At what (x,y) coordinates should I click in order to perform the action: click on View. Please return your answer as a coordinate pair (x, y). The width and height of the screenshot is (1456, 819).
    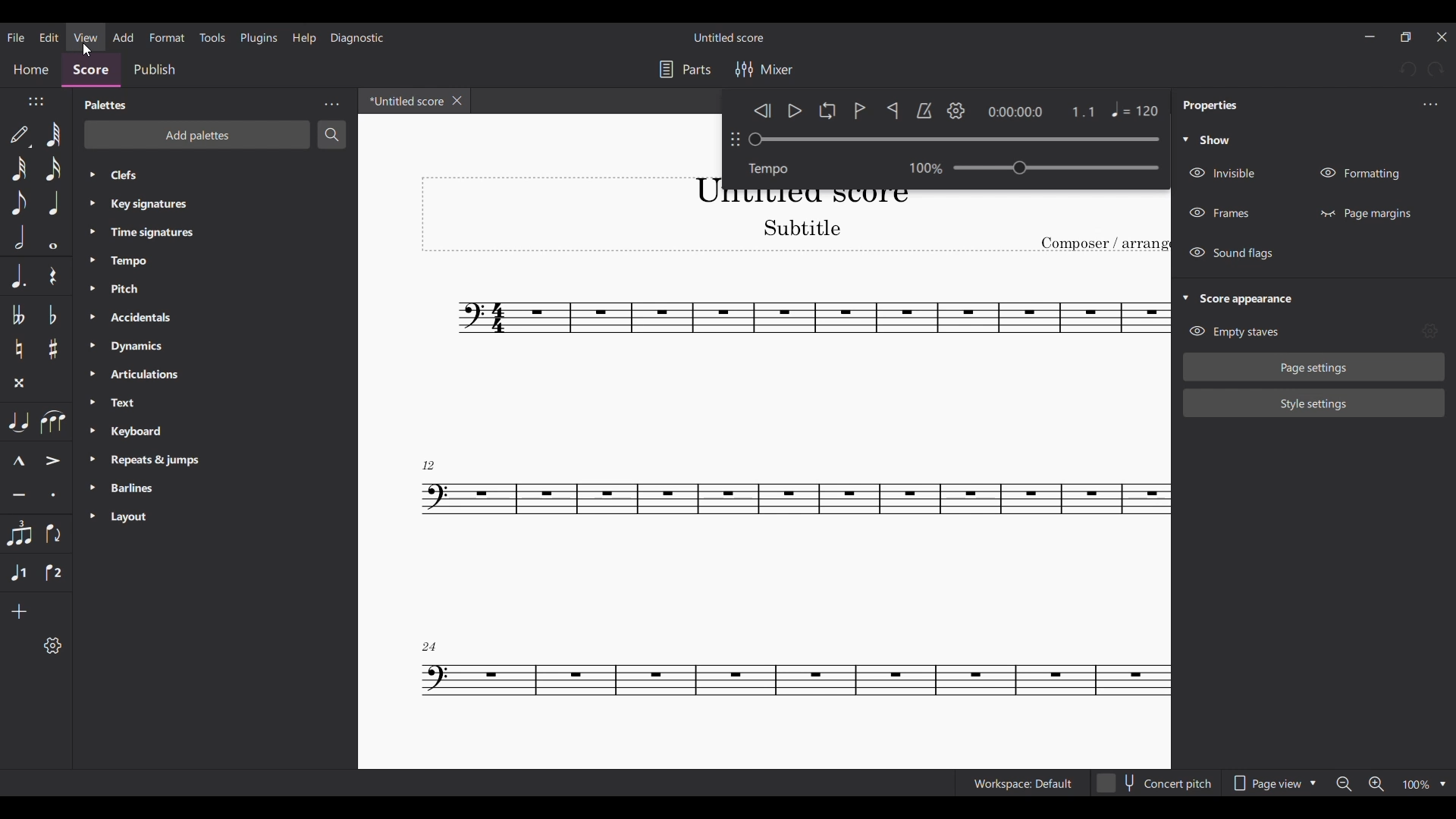
    Looking at the image, I should click on (86, 36).